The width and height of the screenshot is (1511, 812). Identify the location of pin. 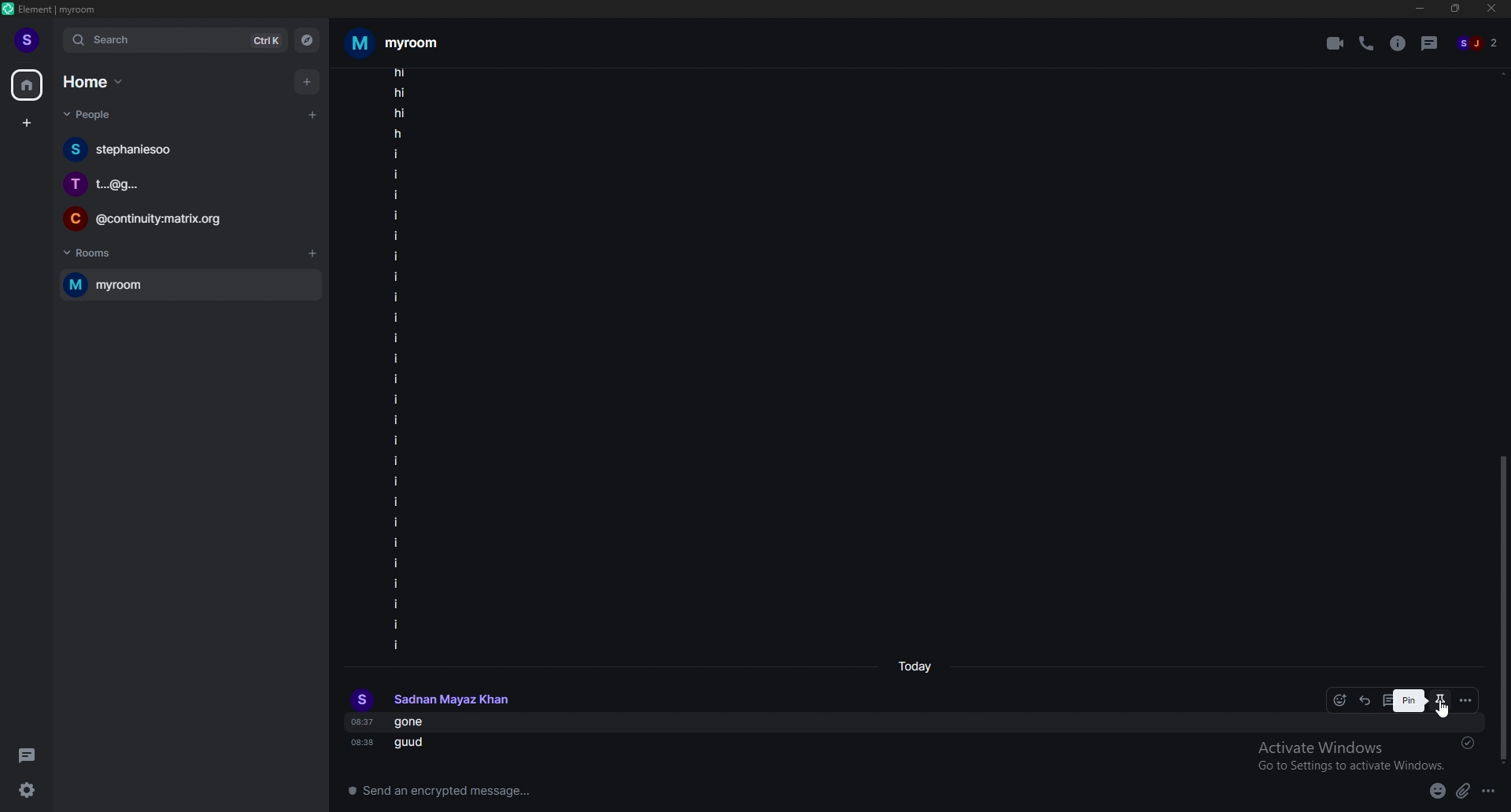
(1440, 700).